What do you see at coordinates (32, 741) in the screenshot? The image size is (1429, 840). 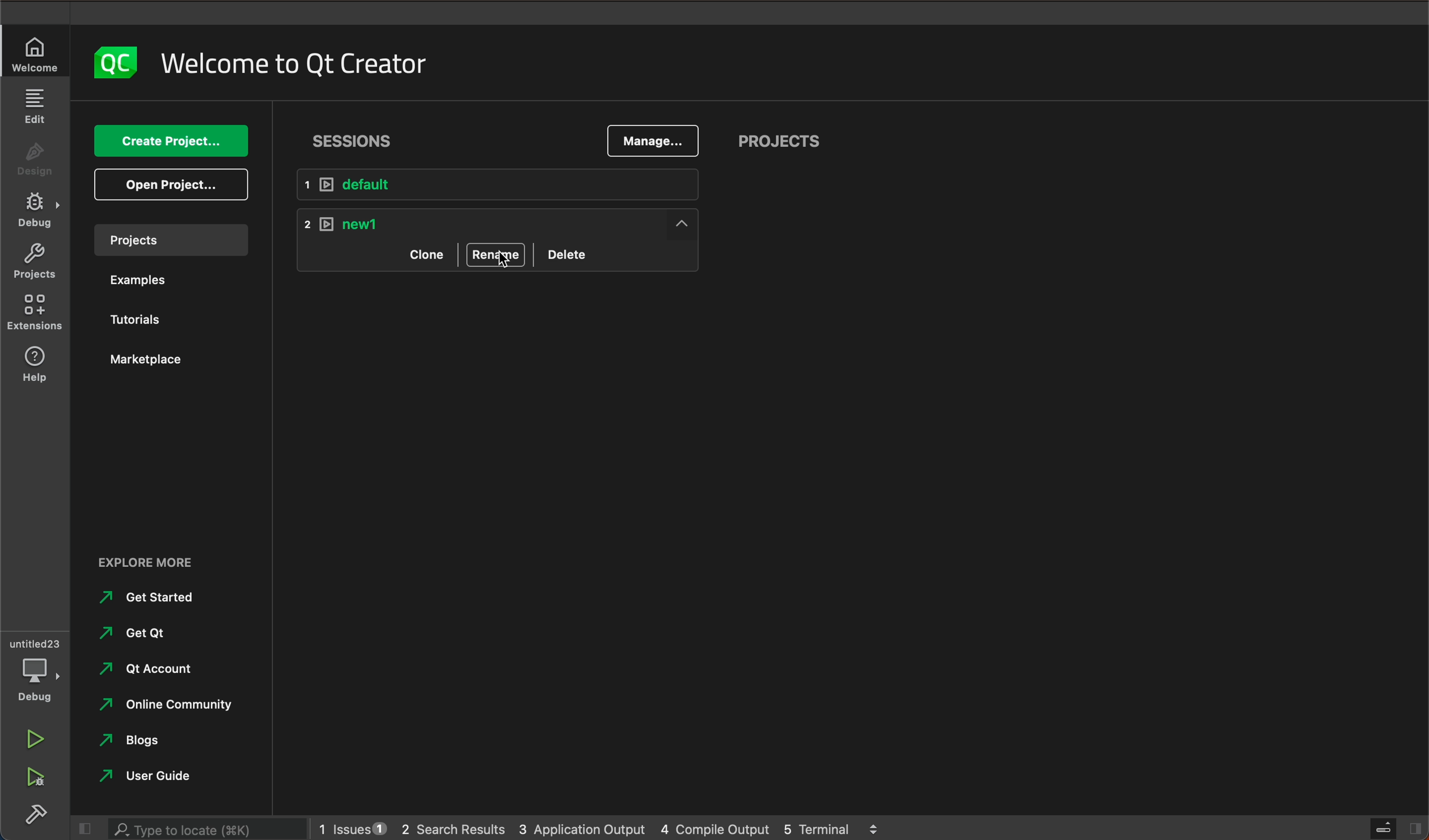 I see `run` at bounding box center [32, 741].